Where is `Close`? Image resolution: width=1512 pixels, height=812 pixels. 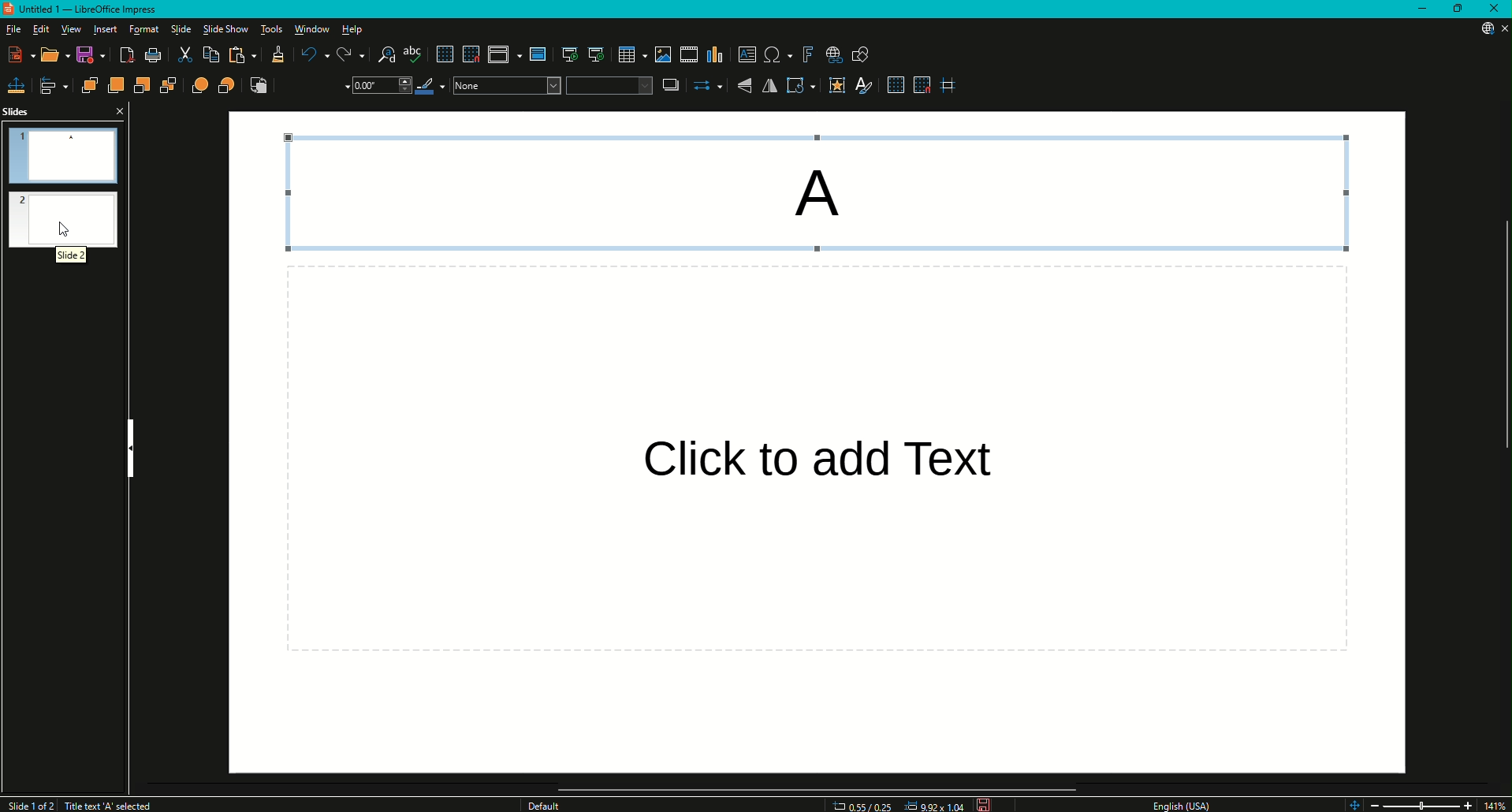
Close is located at coordinates (119, 111).